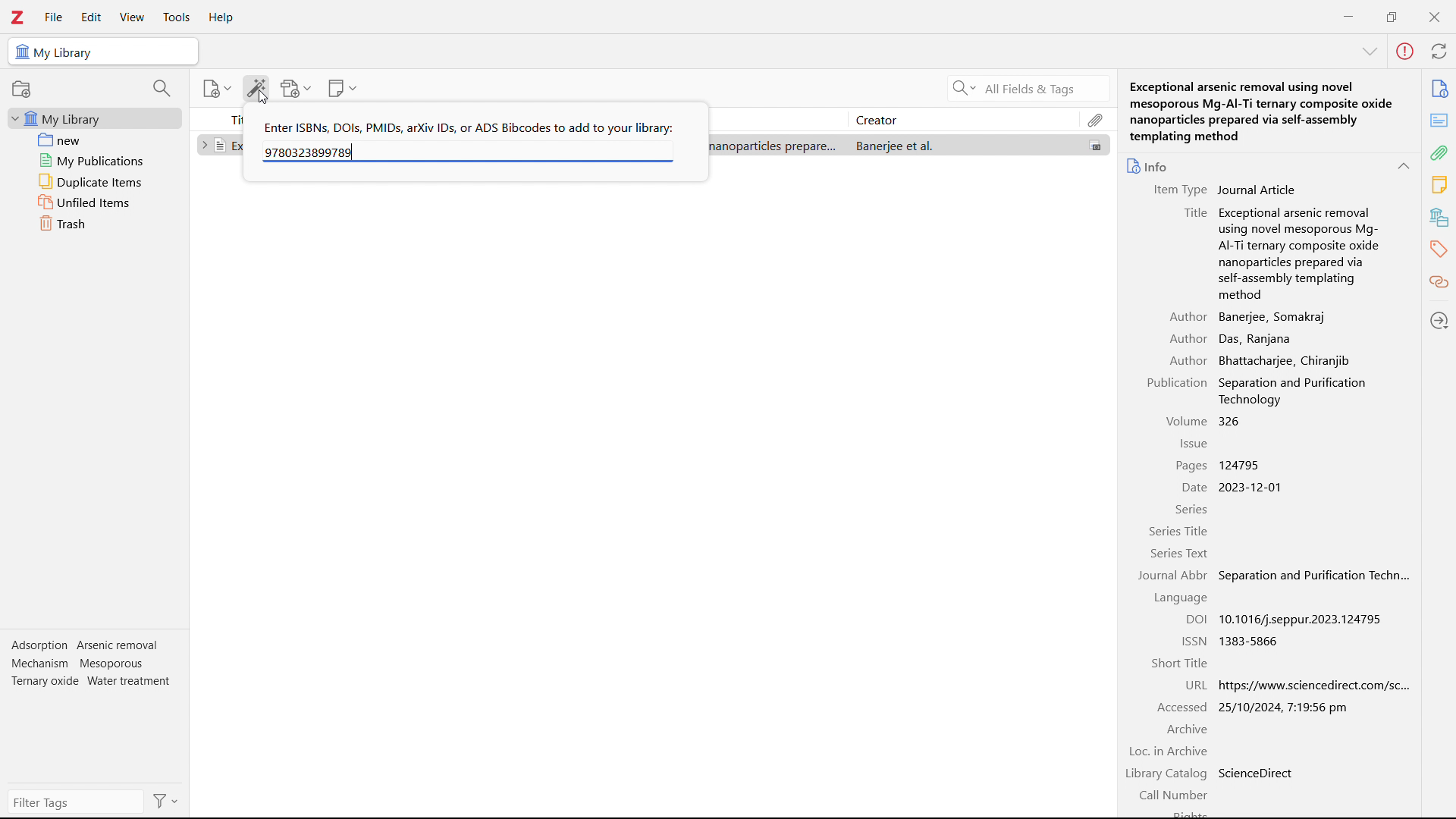 The width and height of the screenshot is (1456, 819). Describe the element at coordinates (1270, 111) in the screenshot. I see `Exceptional arsenic removal using novel Mesoporous Mg-Al-Ti ternary composite oxides nanoparticles prepared via Self-Assembly templating method` at that location.